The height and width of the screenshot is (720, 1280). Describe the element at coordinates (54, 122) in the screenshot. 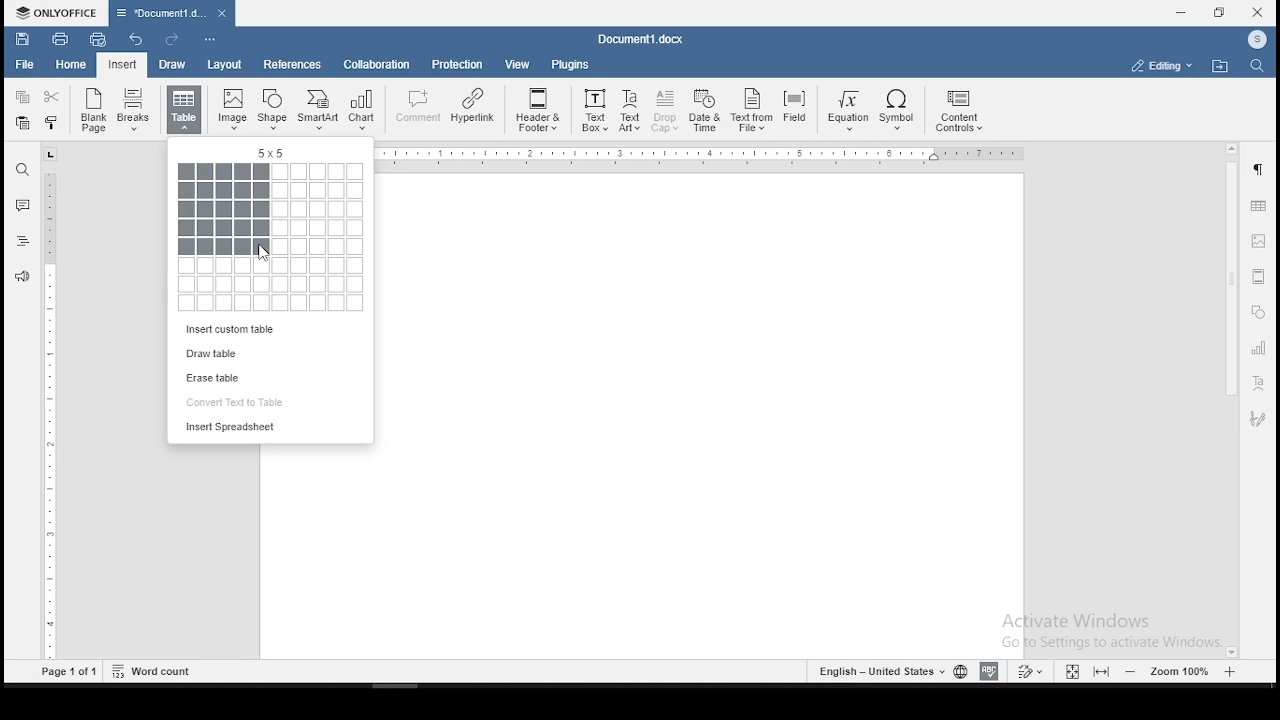

I see `copy formatting` at that location.